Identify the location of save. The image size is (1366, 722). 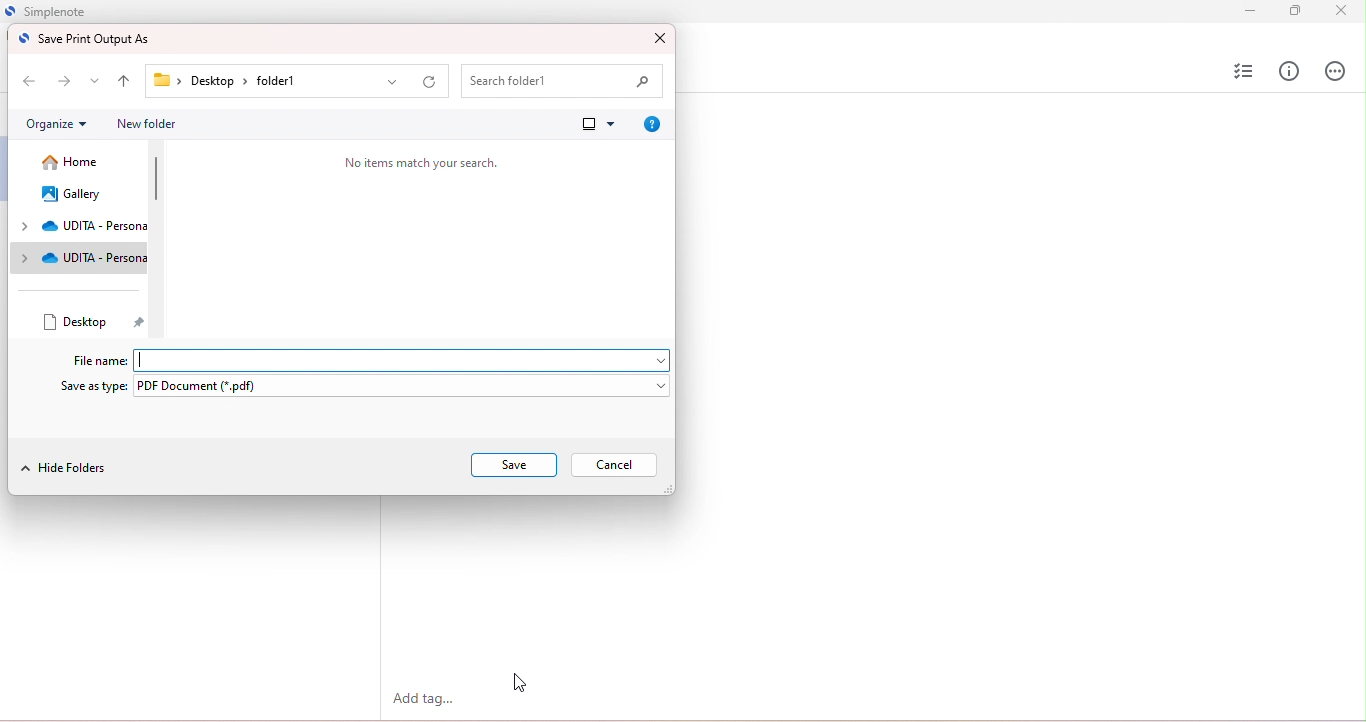
(515, 465).